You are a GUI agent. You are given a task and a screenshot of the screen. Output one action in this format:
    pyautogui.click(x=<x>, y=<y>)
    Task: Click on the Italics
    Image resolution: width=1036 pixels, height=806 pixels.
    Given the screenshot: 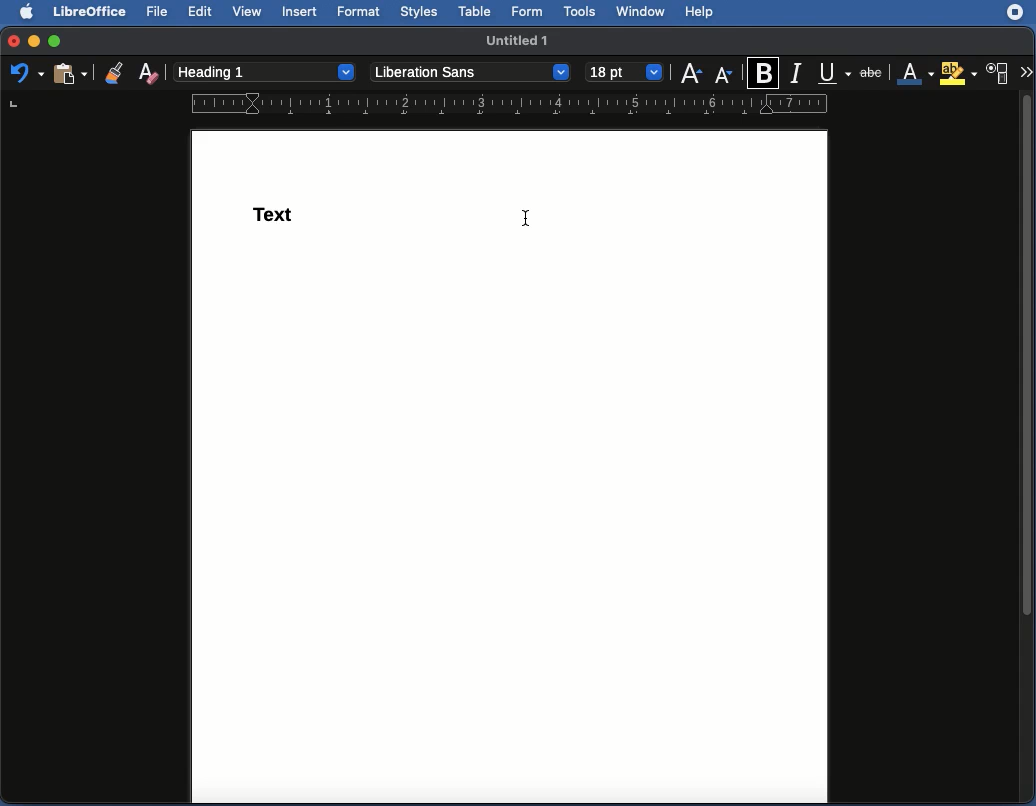 What is the action you would take?
    pyautogui.click(x=797, y=74)
    